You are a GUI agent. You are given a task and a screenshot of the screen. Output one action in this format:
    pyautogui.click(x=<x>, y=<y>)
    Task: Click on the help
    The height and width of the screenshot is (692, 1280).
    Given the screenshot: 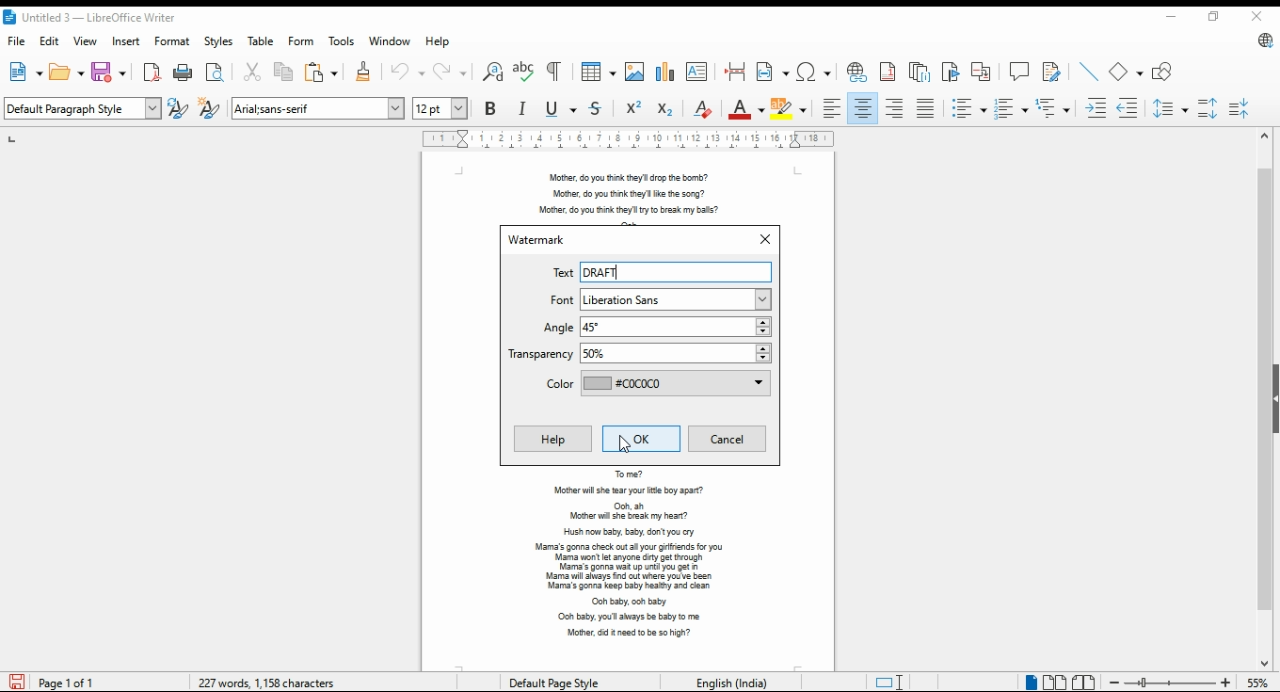 What is the action you would take?
    pyautogui.click(x=553, y=440)
    